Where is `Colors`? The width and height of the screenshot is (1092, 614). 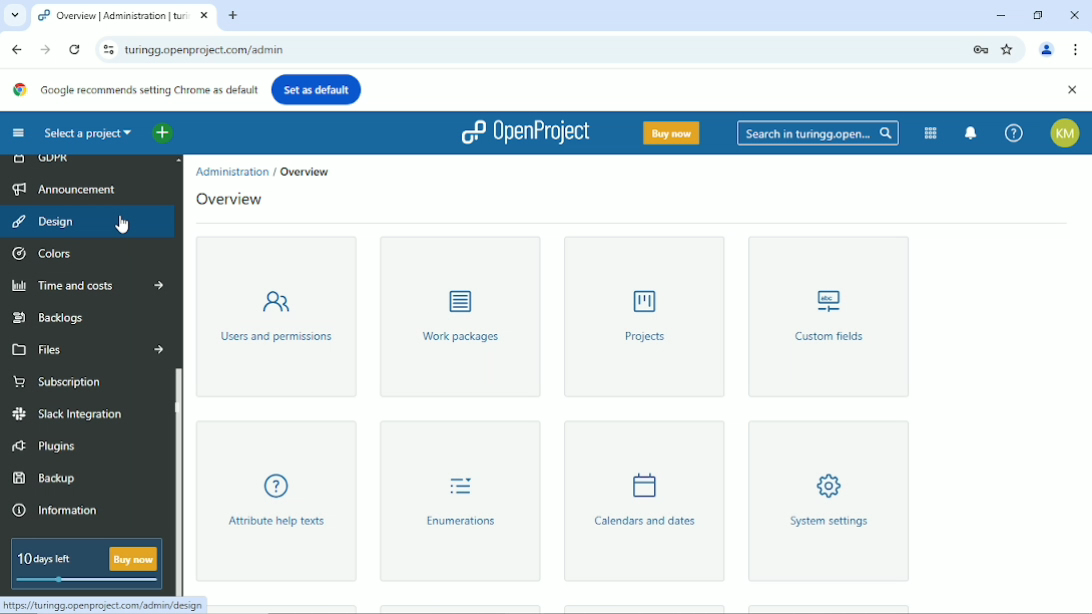
Colors is located at coordinates (43, 254).